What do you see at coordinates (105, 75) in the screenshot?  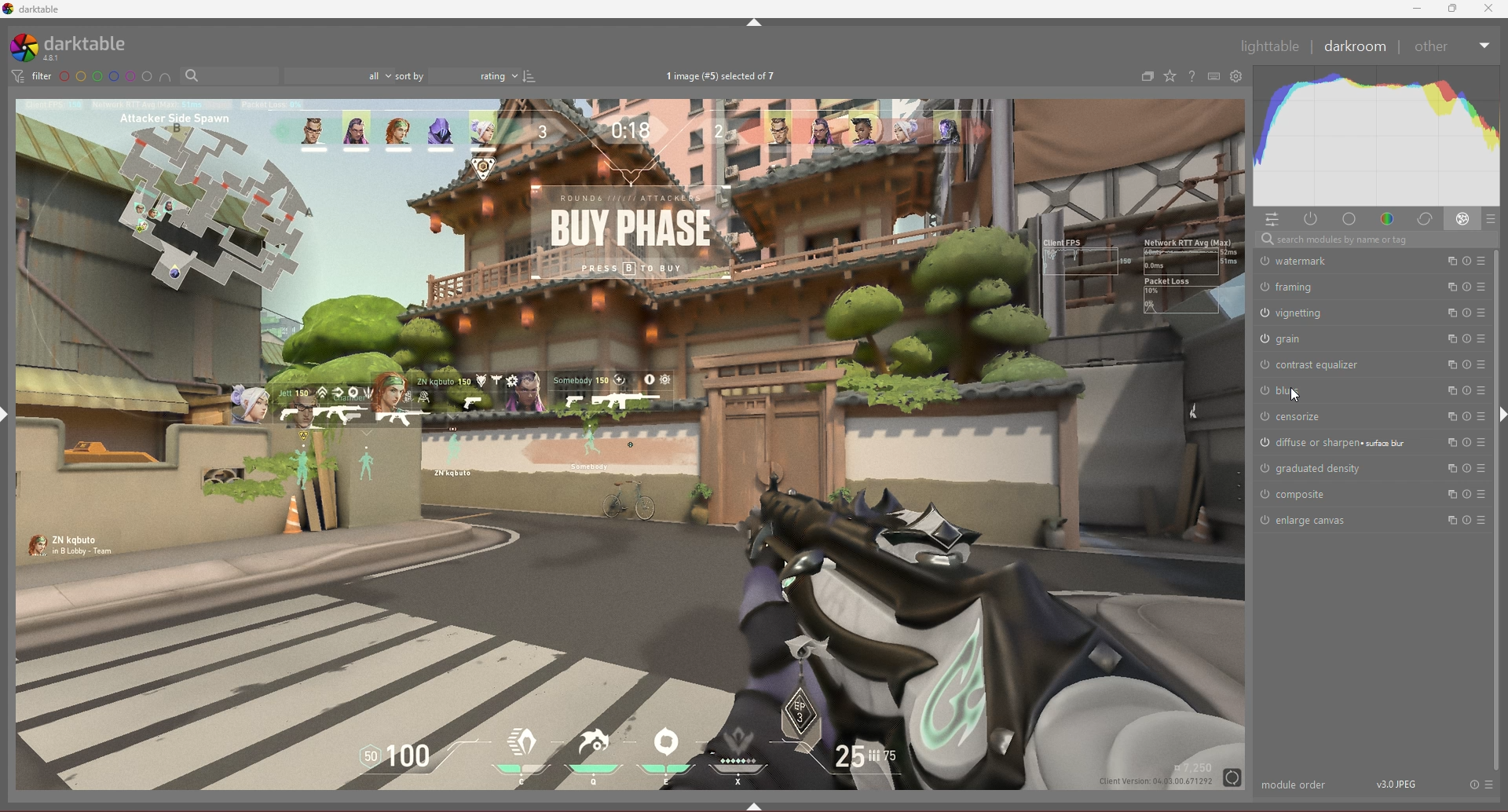 I see `color label` at bounding box center [105, 75].